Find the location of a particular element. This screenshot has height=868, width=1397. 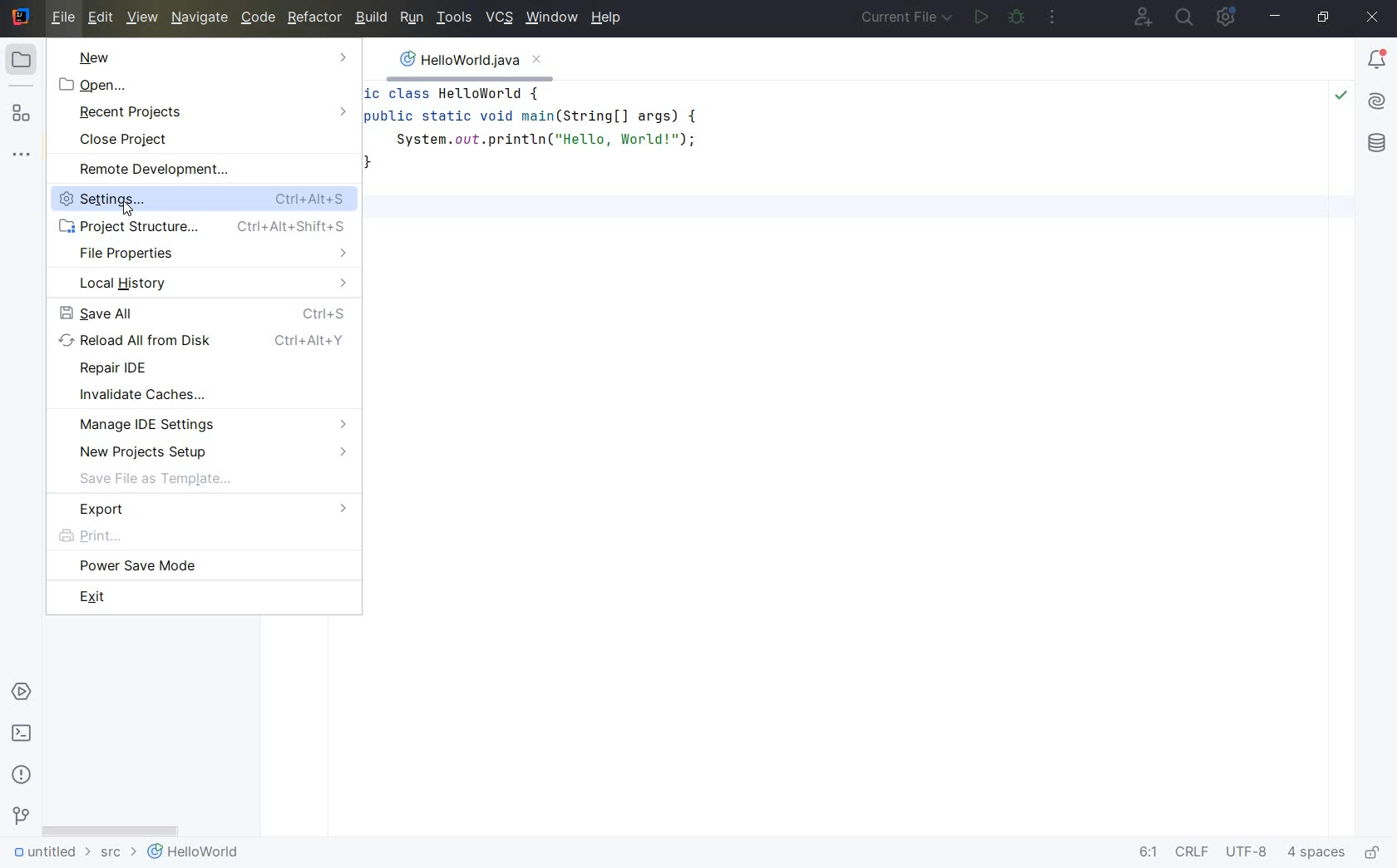

project is located at coordinates (27, 59).